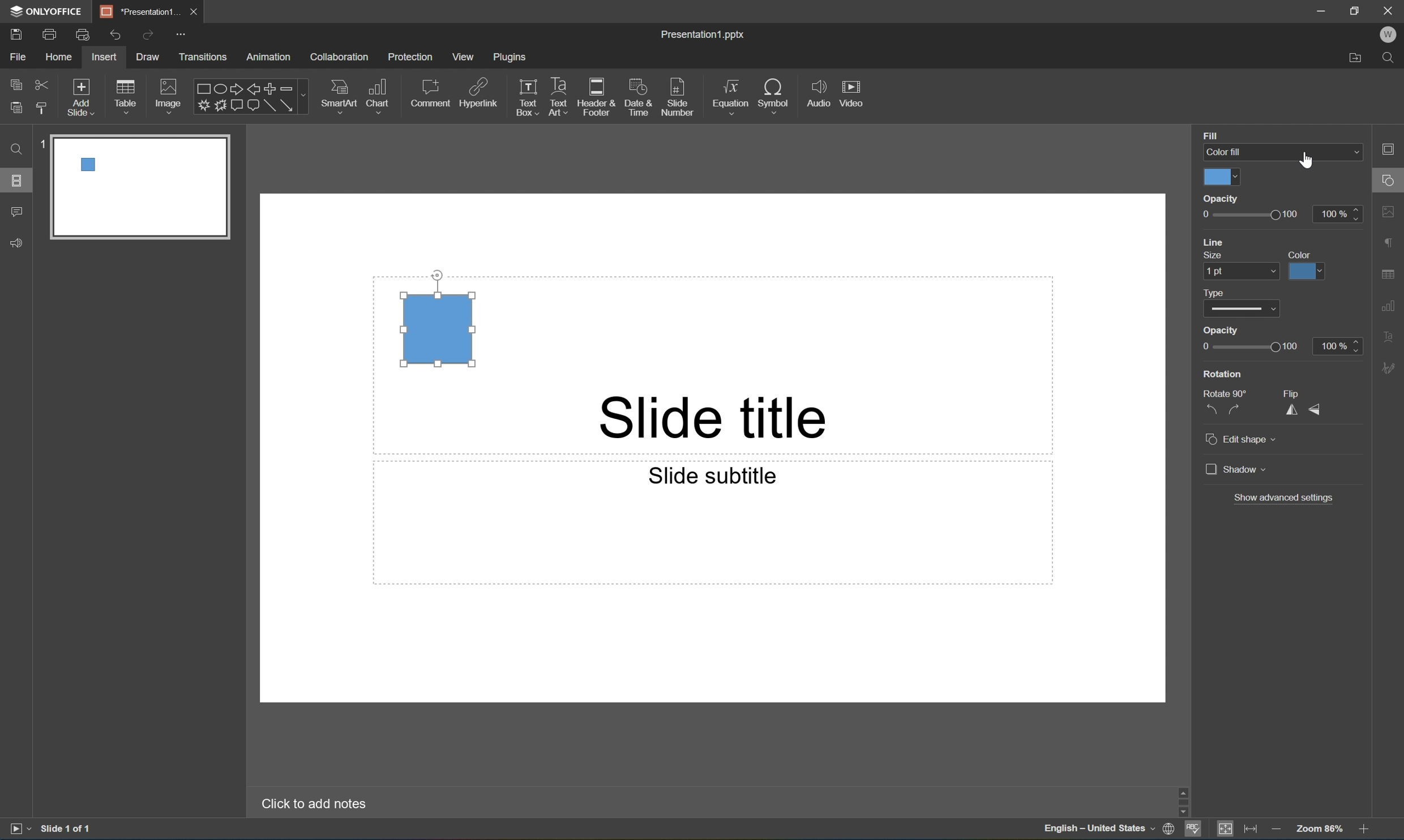 The image size is (1404, 840). What do you see at coordinates (479, 91) in the screenshot?
I see `Hyperlink` at bounding box center [479, 91].